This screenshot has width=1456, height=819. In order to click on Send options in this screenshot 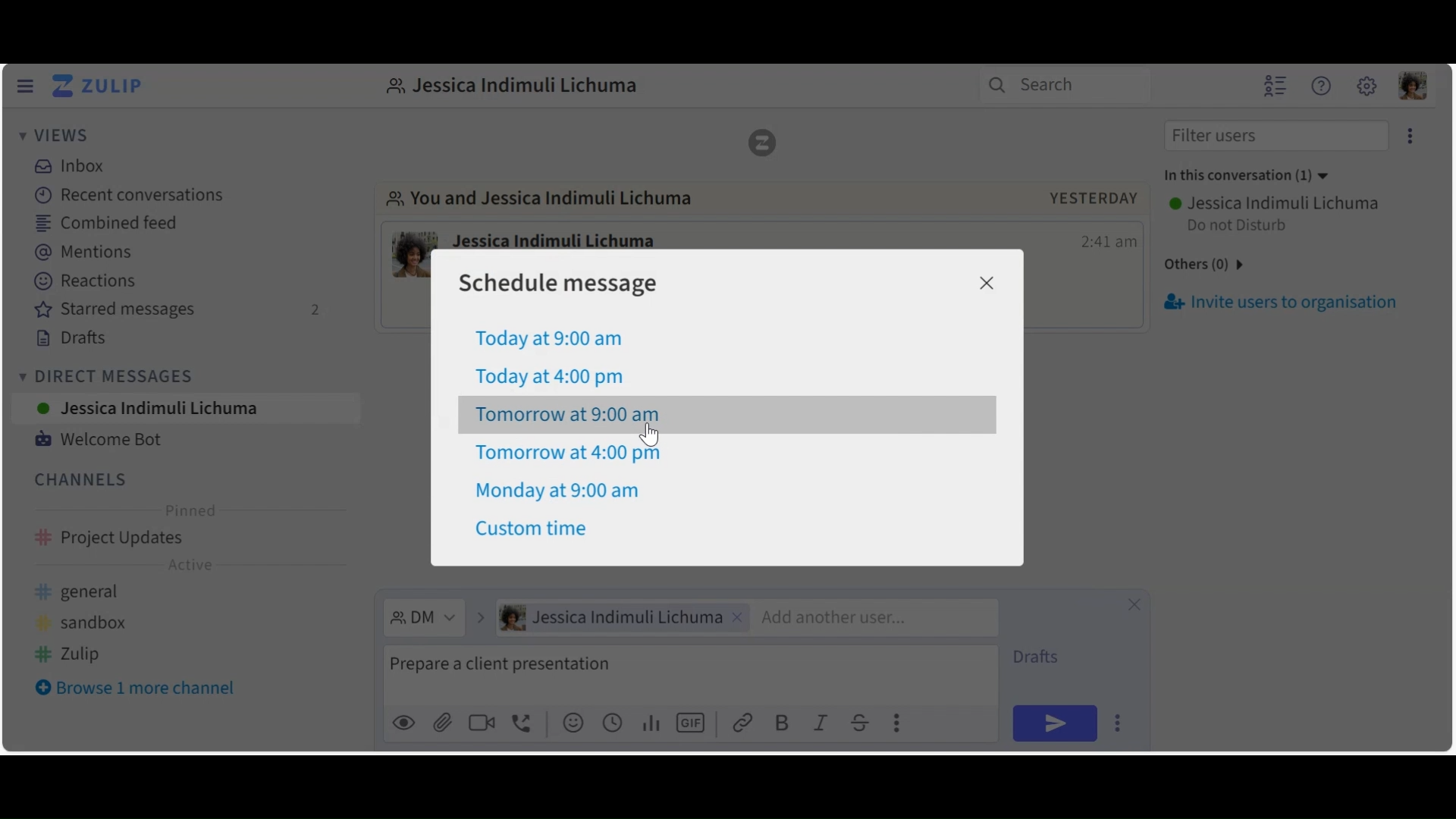, I will do `click(1117, 723)`.